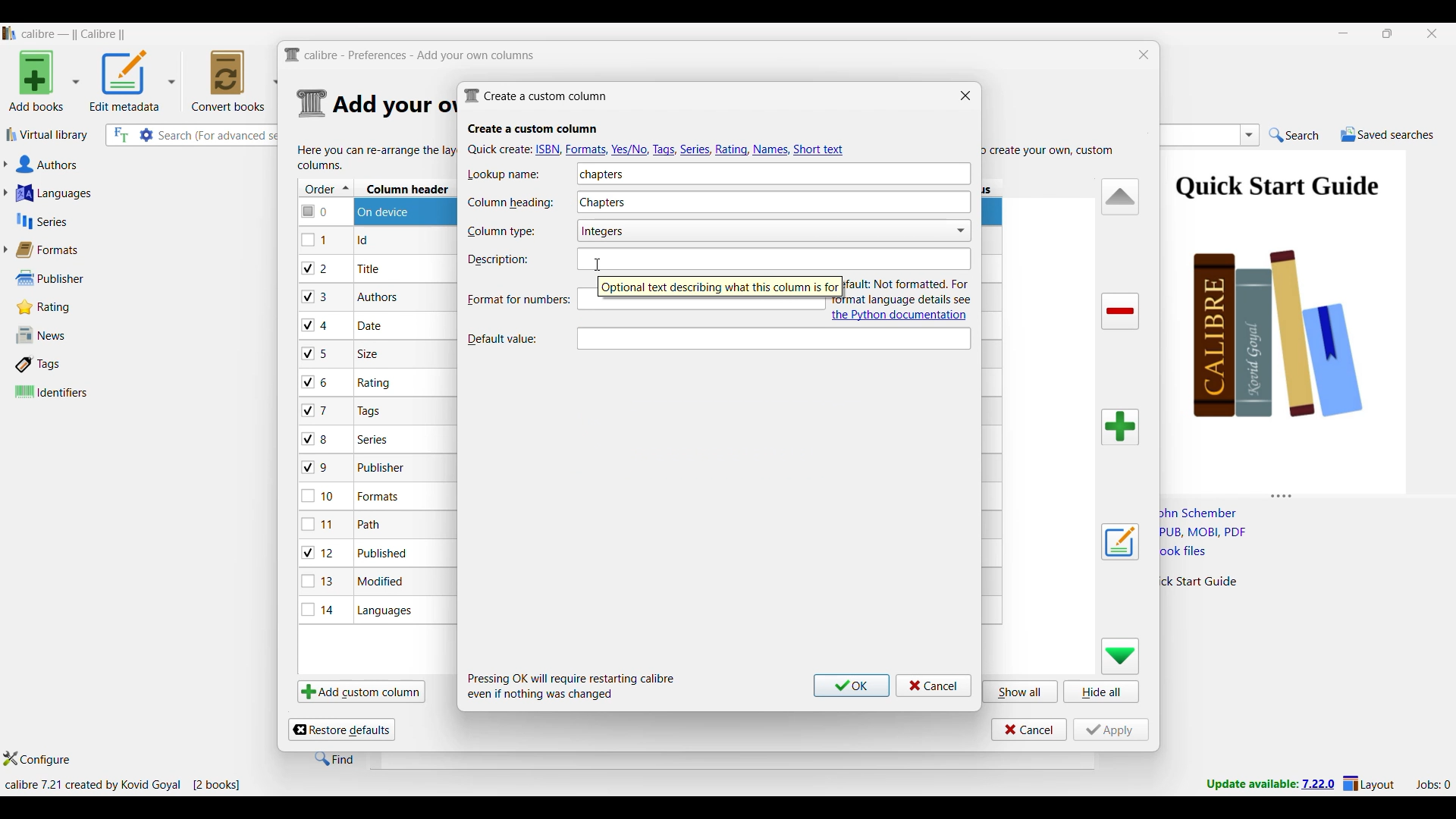 This screenshot has height=819, width=1456. Describe the element at coordinates (315, 325) in the screenshot. I see `checkbox - 4` at that location.